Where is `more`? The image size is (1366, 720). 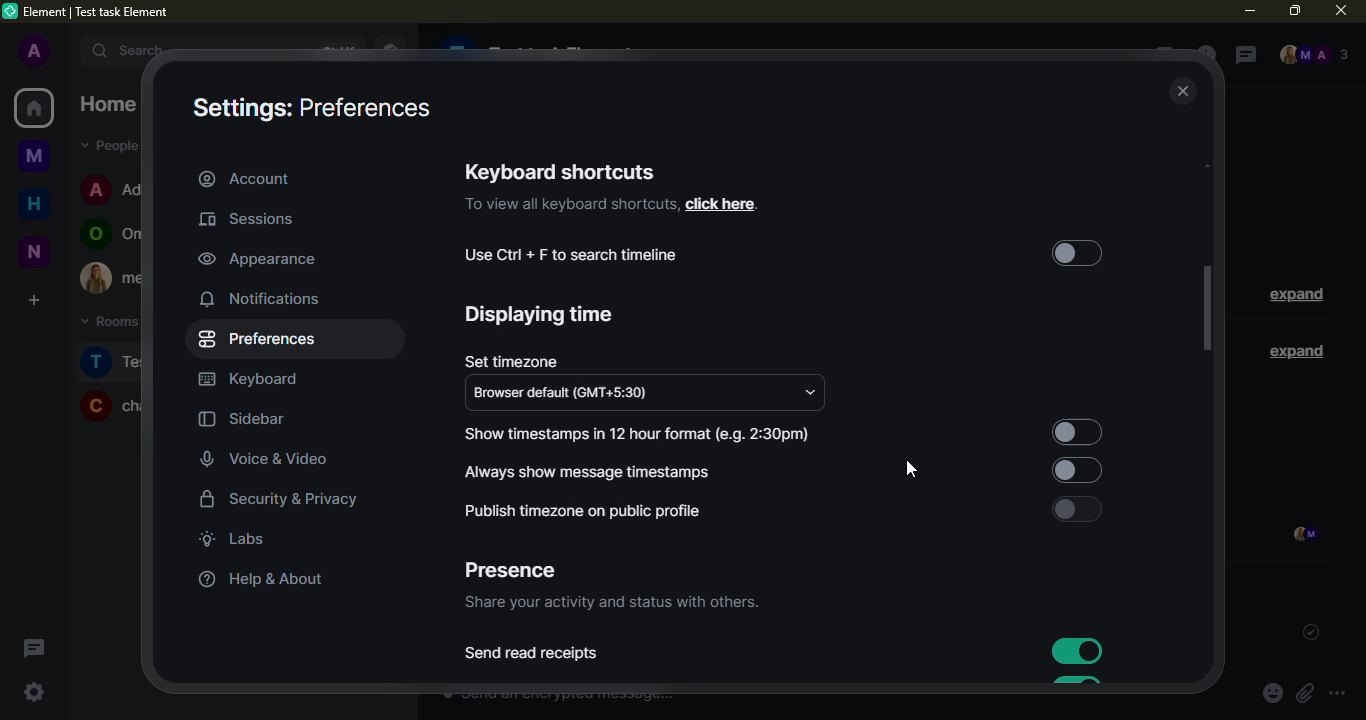 more is located at coordinates (1337, 694).